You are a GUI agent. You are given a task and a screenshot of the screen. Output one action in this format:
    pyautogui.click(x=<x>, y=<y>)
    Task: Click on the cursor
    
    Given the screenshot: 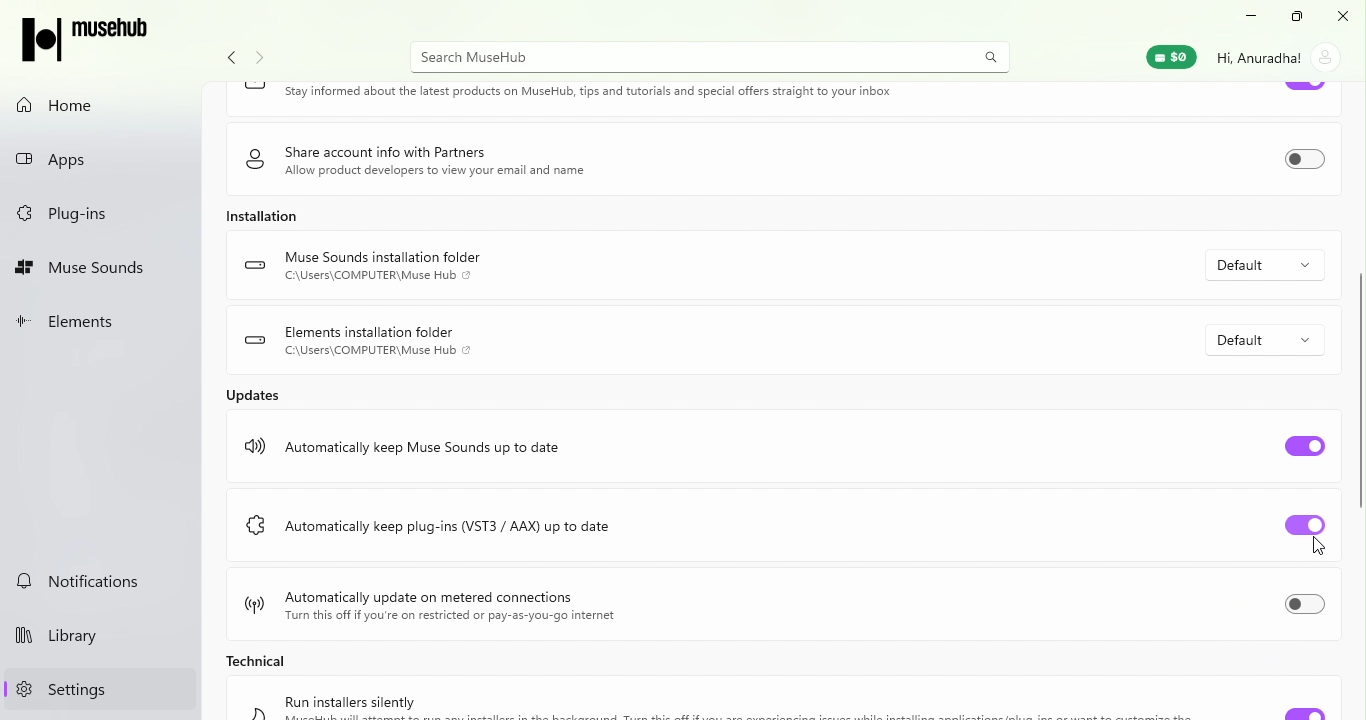 What is the action you would take?
    pyautogui.click(x=1319, y=547)
    